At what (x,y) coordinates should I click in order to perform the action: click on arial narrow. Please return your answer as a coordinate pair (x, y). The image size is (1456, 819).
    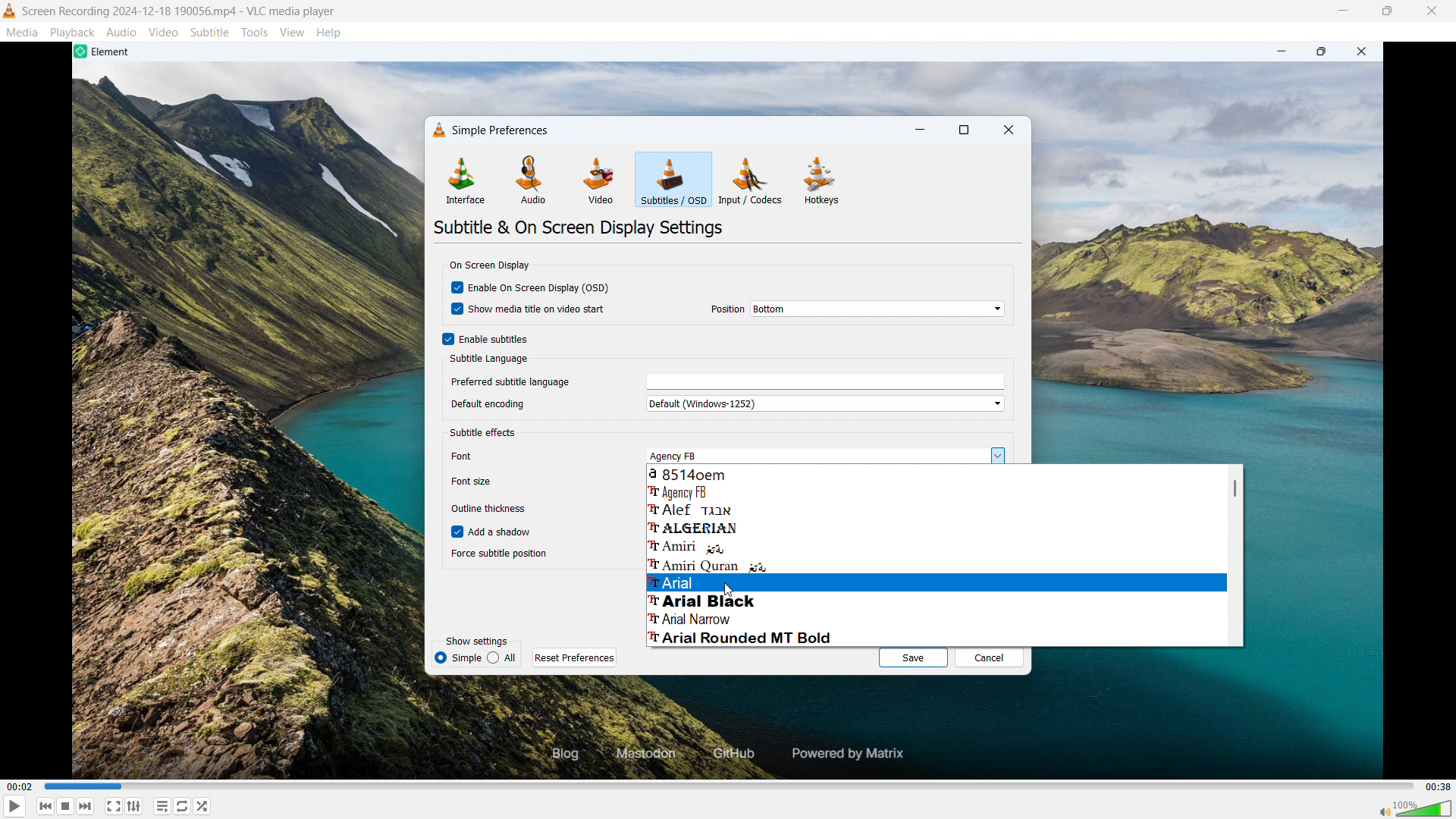
    Looking at the image, I should click on (935, 618).